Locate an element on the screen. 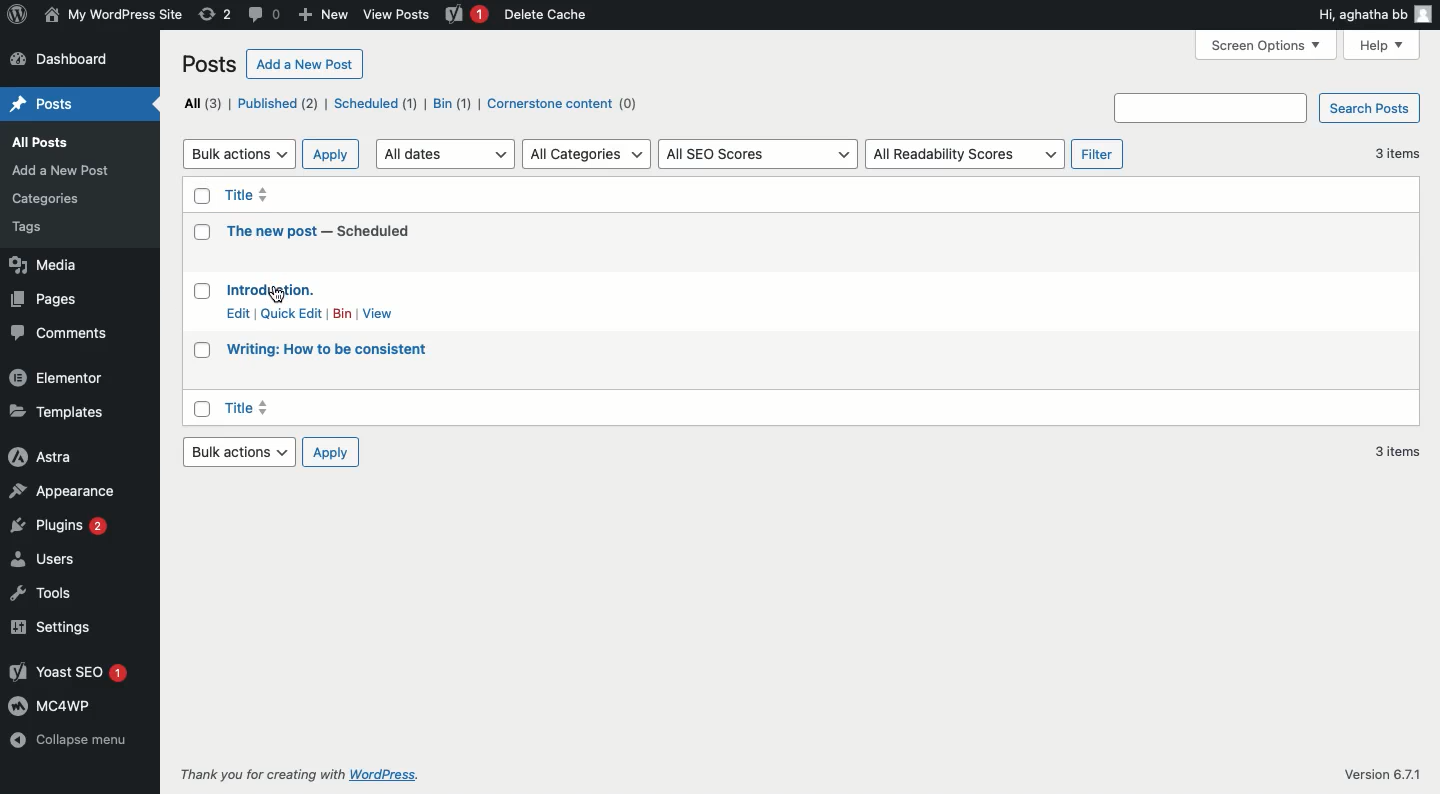 The width and height of the screenshot is (1440, 794). Apply is located at coordinates (330, 451).